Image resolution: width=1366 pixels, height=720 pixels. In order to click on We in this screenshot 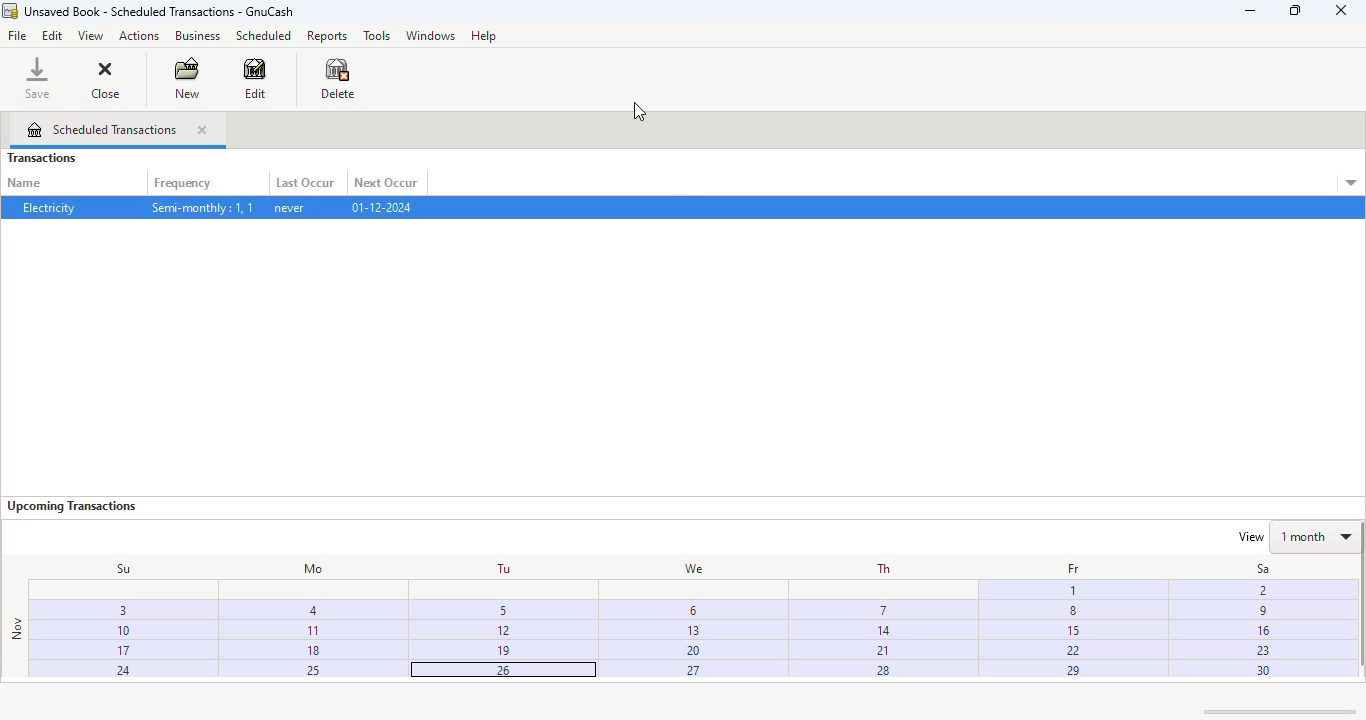, I will do `click(687, 567)`.